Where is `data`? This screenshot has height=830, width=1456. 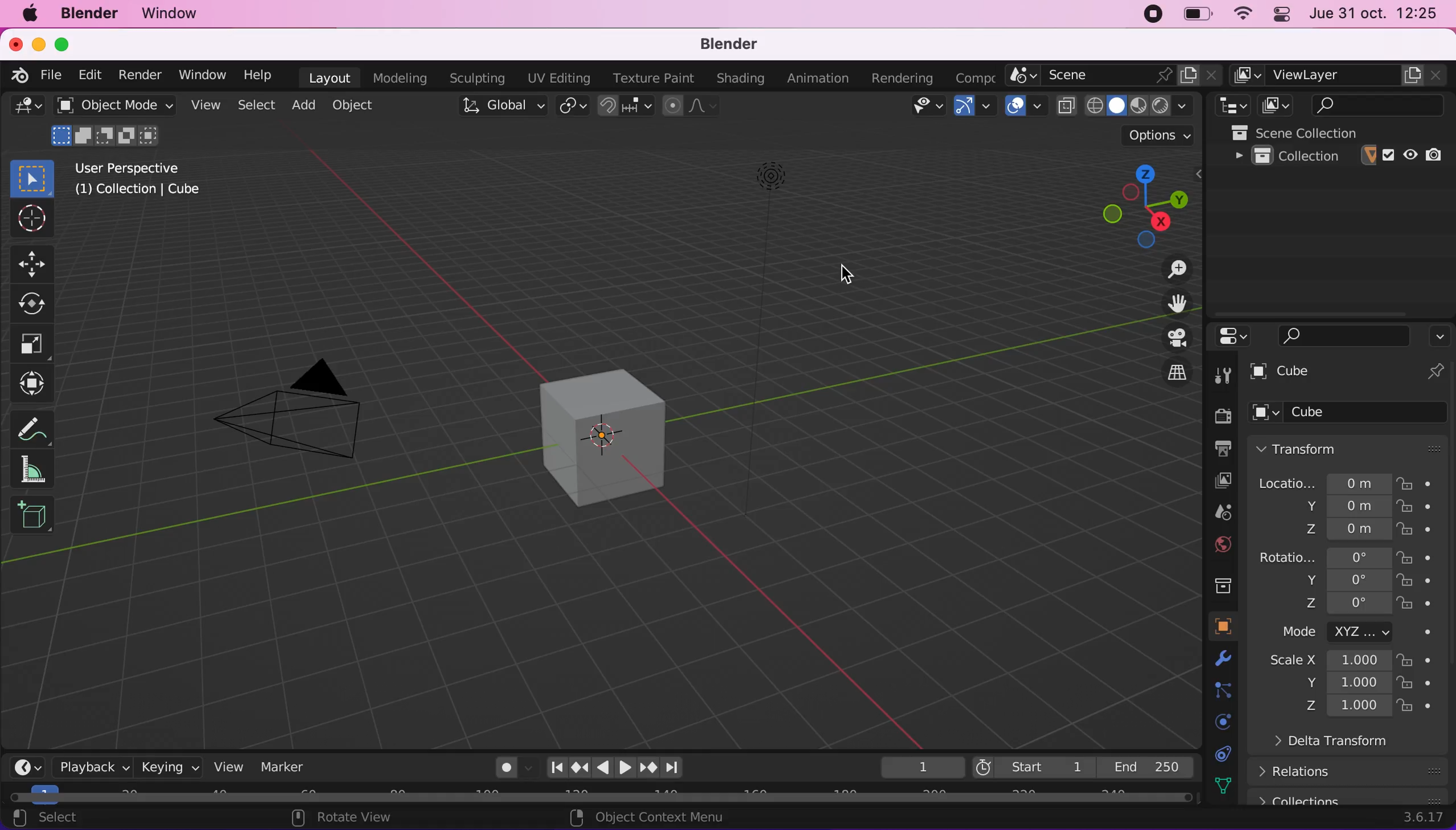
data is located at coordinates (1218, 784).